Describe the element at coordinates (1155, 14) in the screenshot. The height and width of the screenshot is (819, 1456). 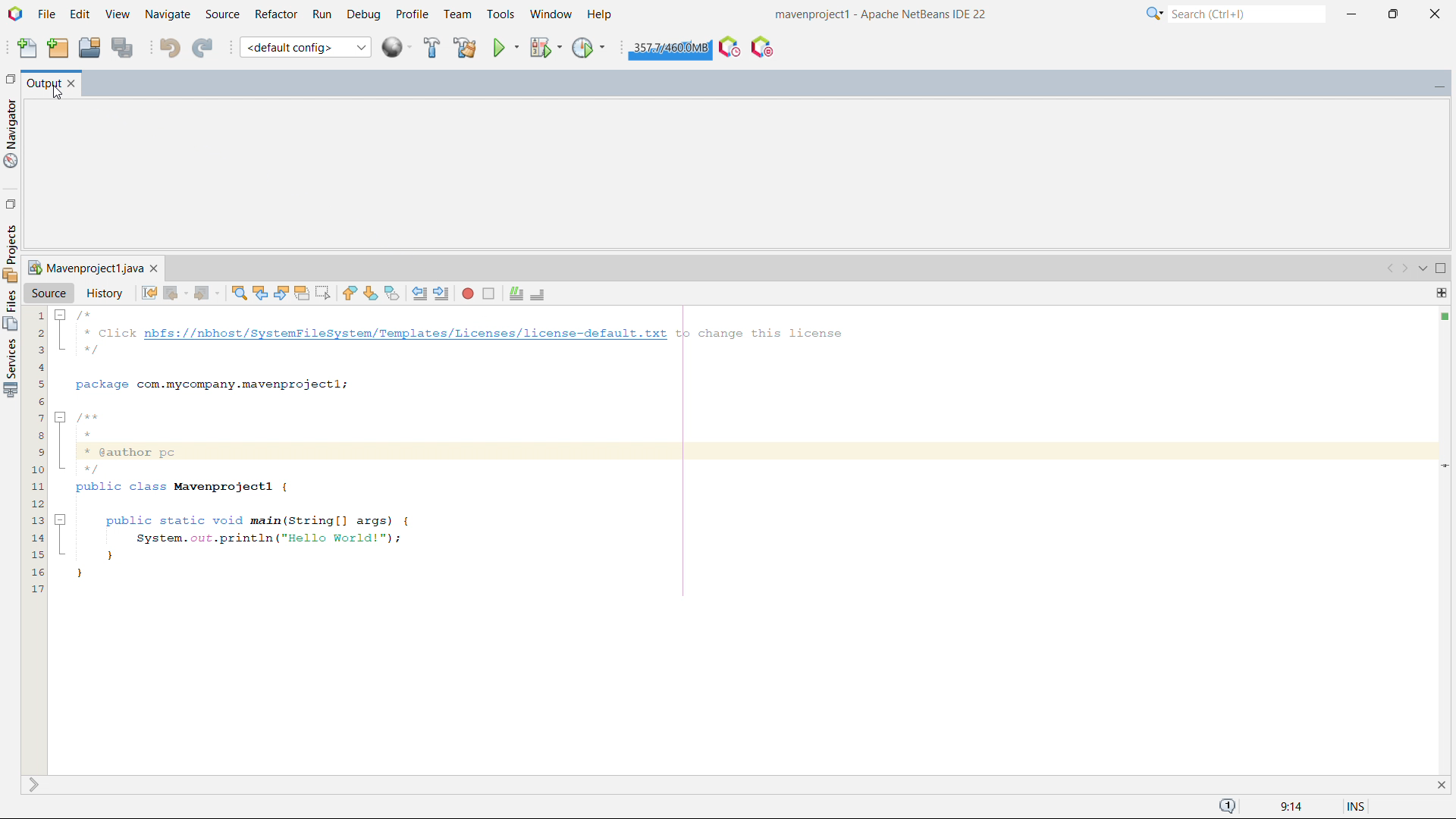
I see `search options` at that location.